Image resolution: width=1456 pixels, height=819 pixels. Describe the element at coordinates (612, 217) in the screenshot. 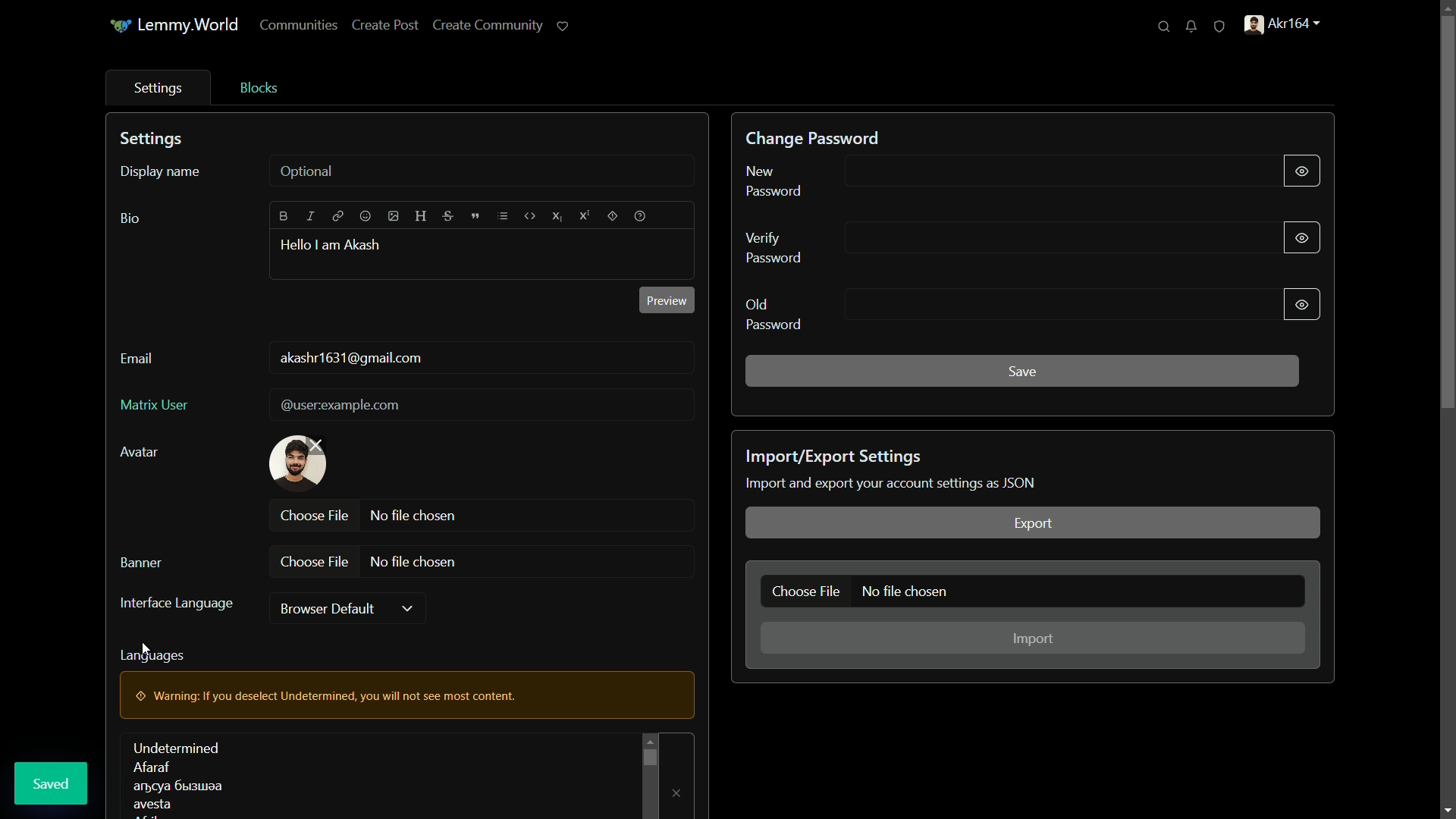

I see `spoiler` at that location.